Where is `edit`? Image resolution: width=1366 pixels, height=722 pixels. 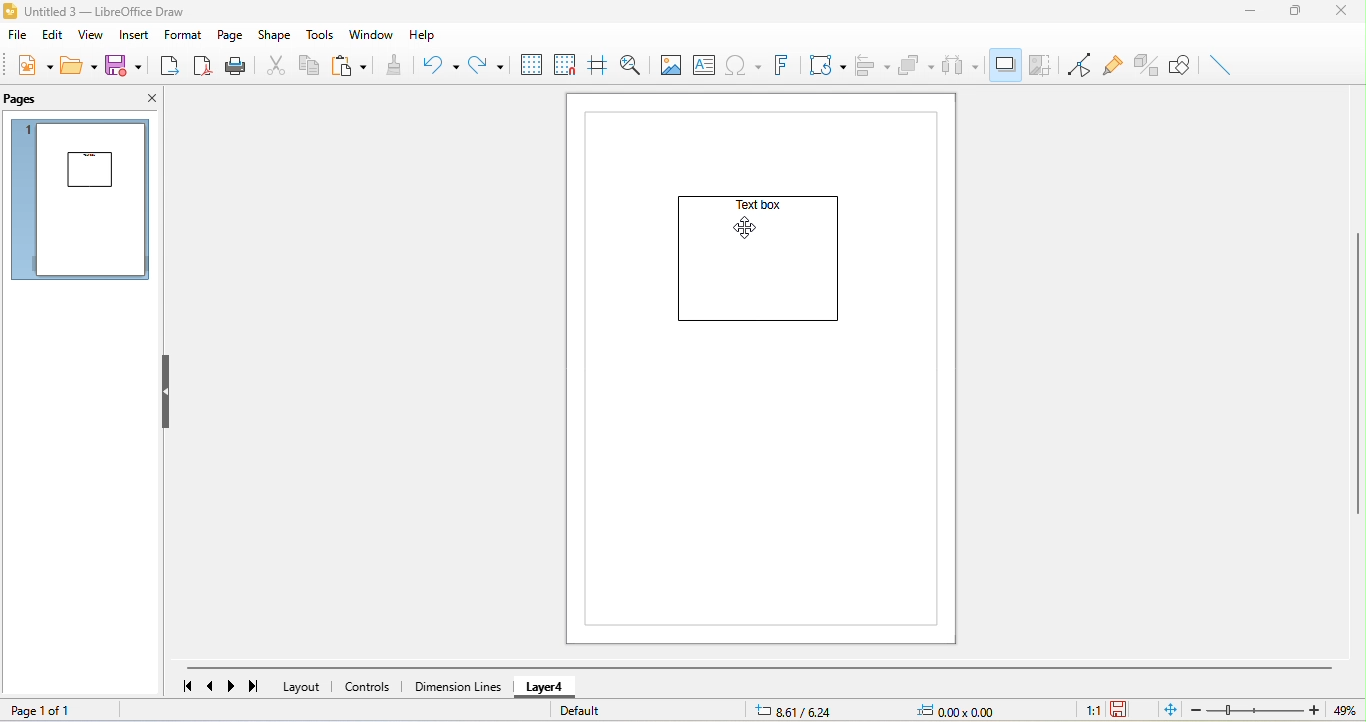
edit is located at coordinates (53, 35).